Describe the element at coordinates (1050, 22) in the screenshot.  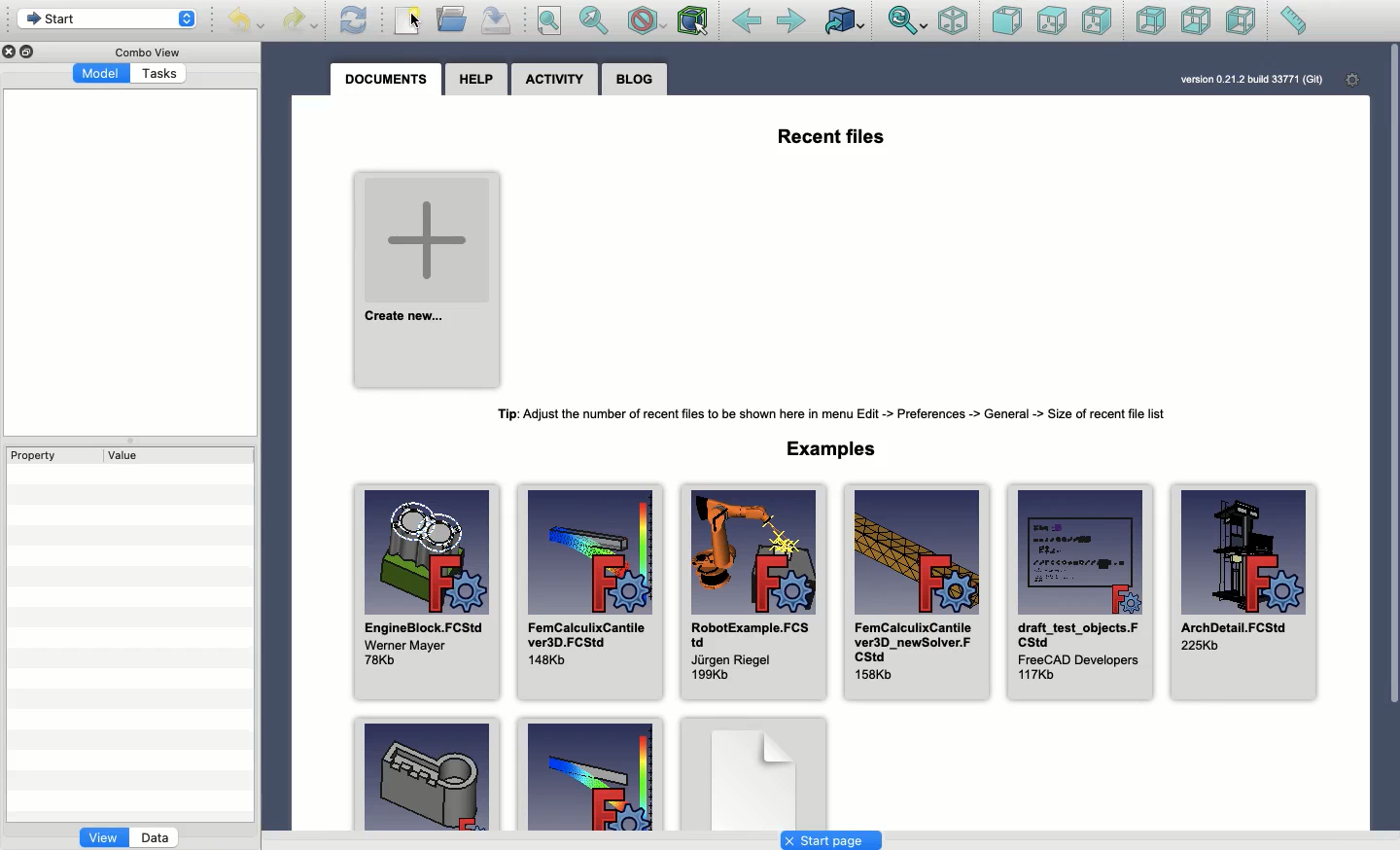
I see `Top` at that location.